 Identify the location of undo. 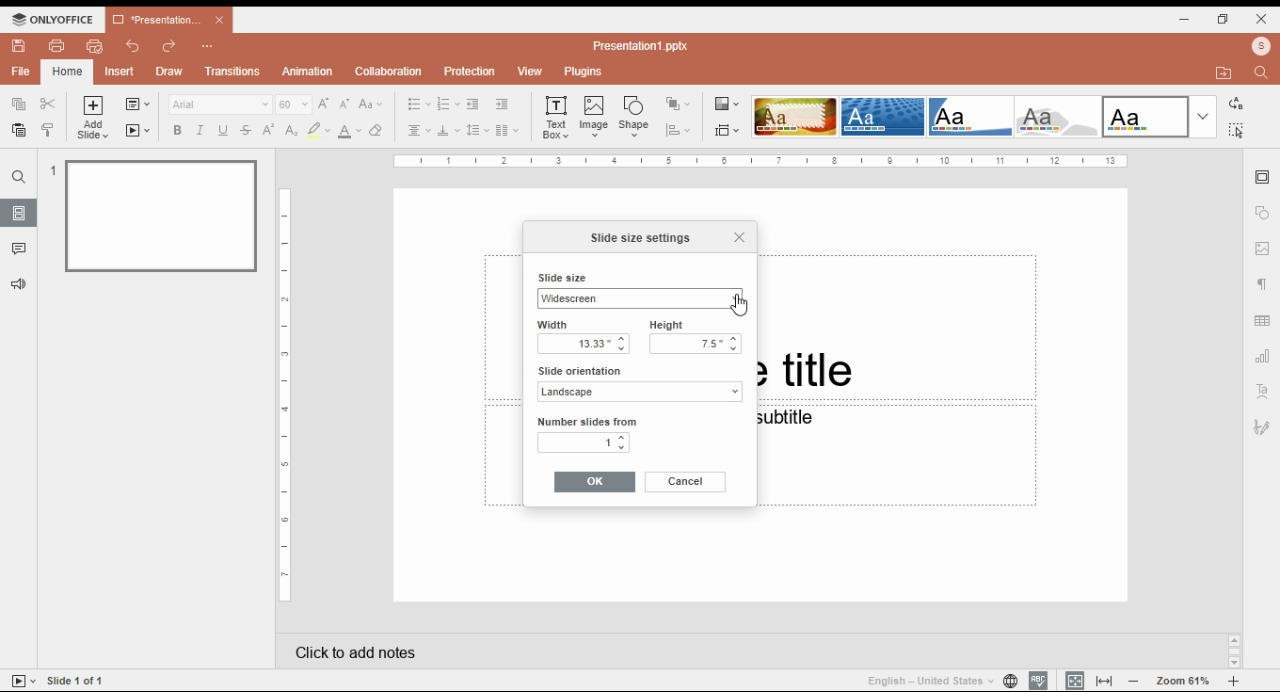
(134, 46).